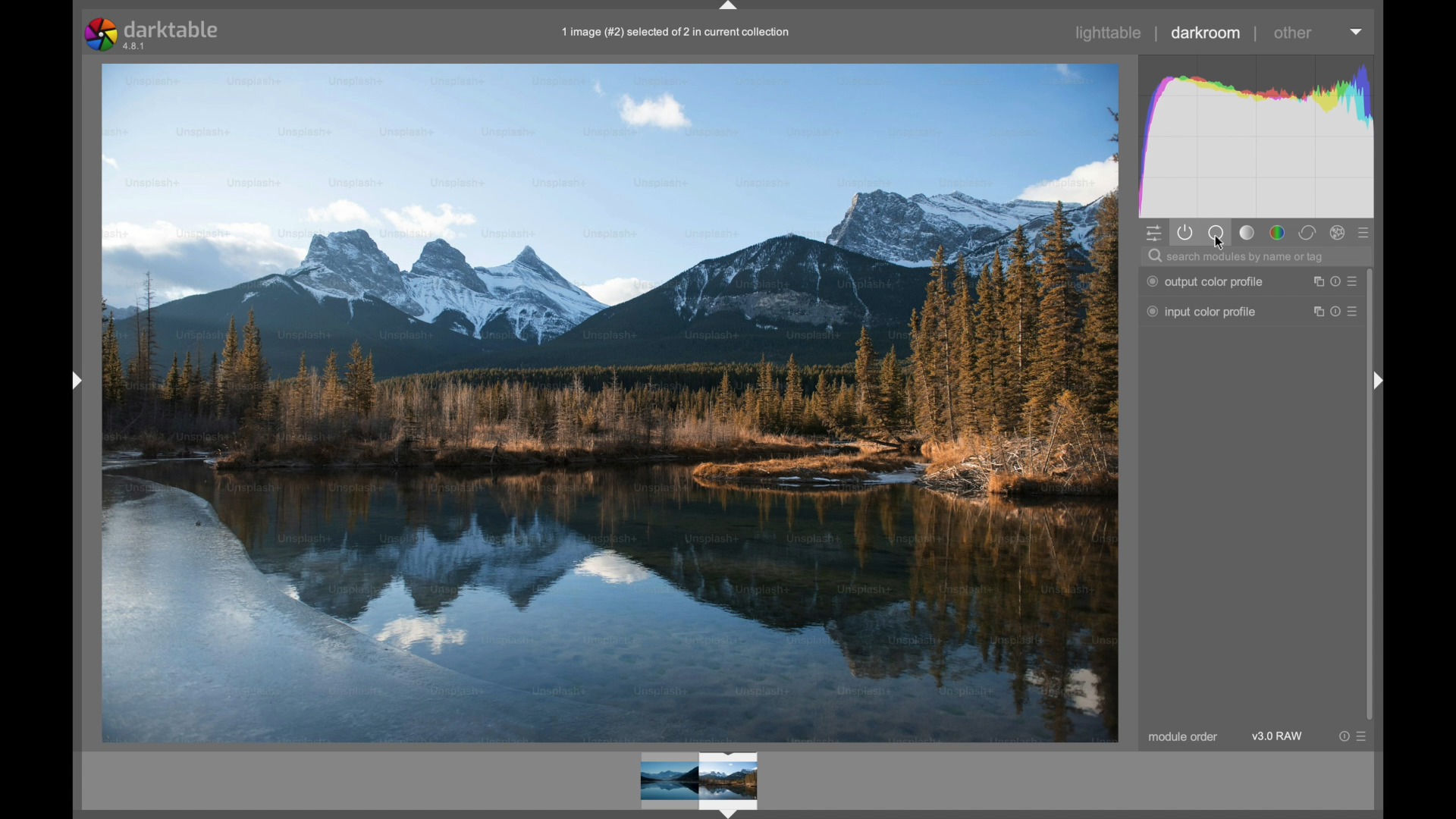  I want to click on resets, so click(1335, 281).